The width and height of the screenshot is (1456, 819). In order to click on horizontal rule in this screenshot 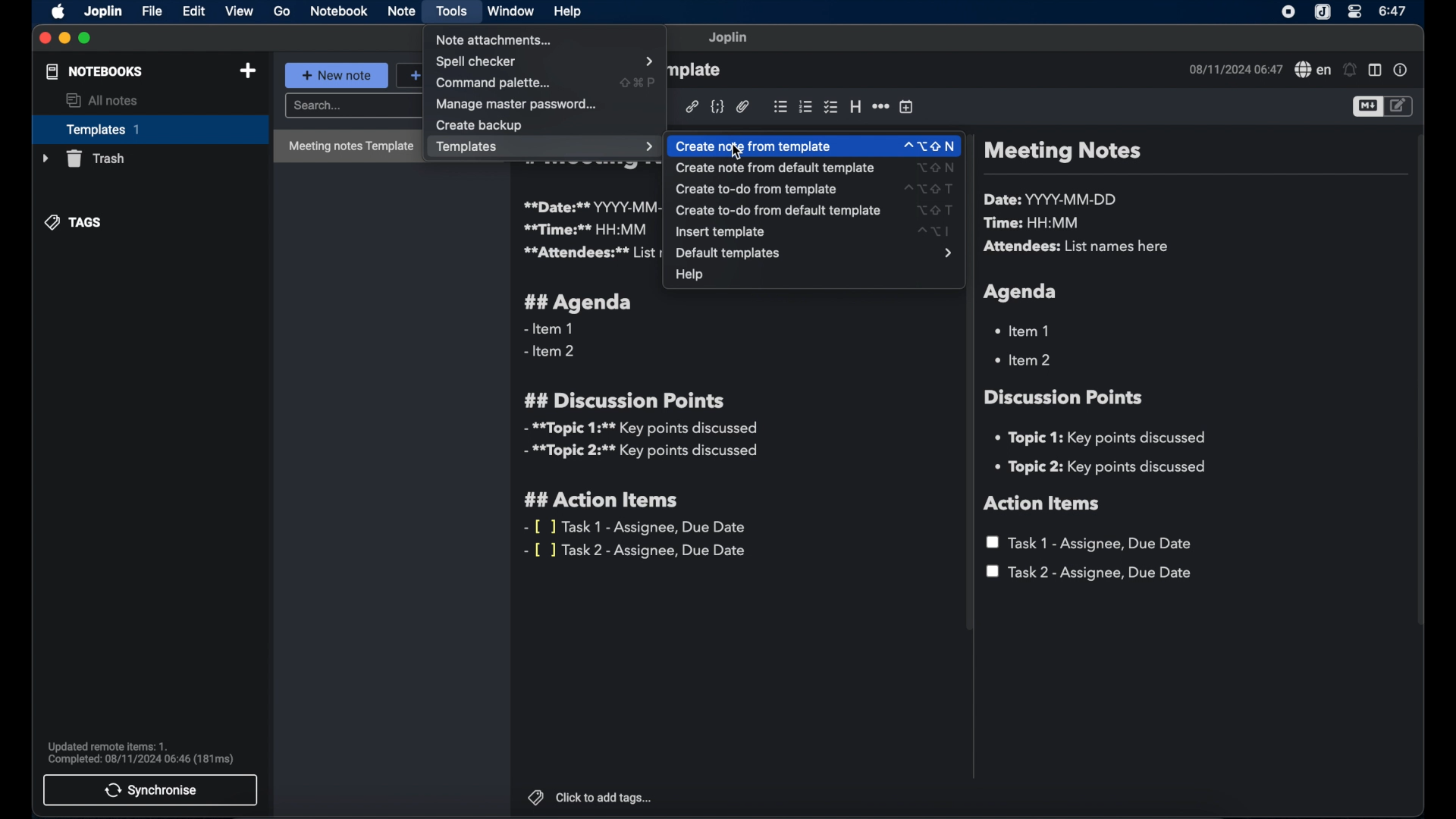, I will do `click(880, 105)`.